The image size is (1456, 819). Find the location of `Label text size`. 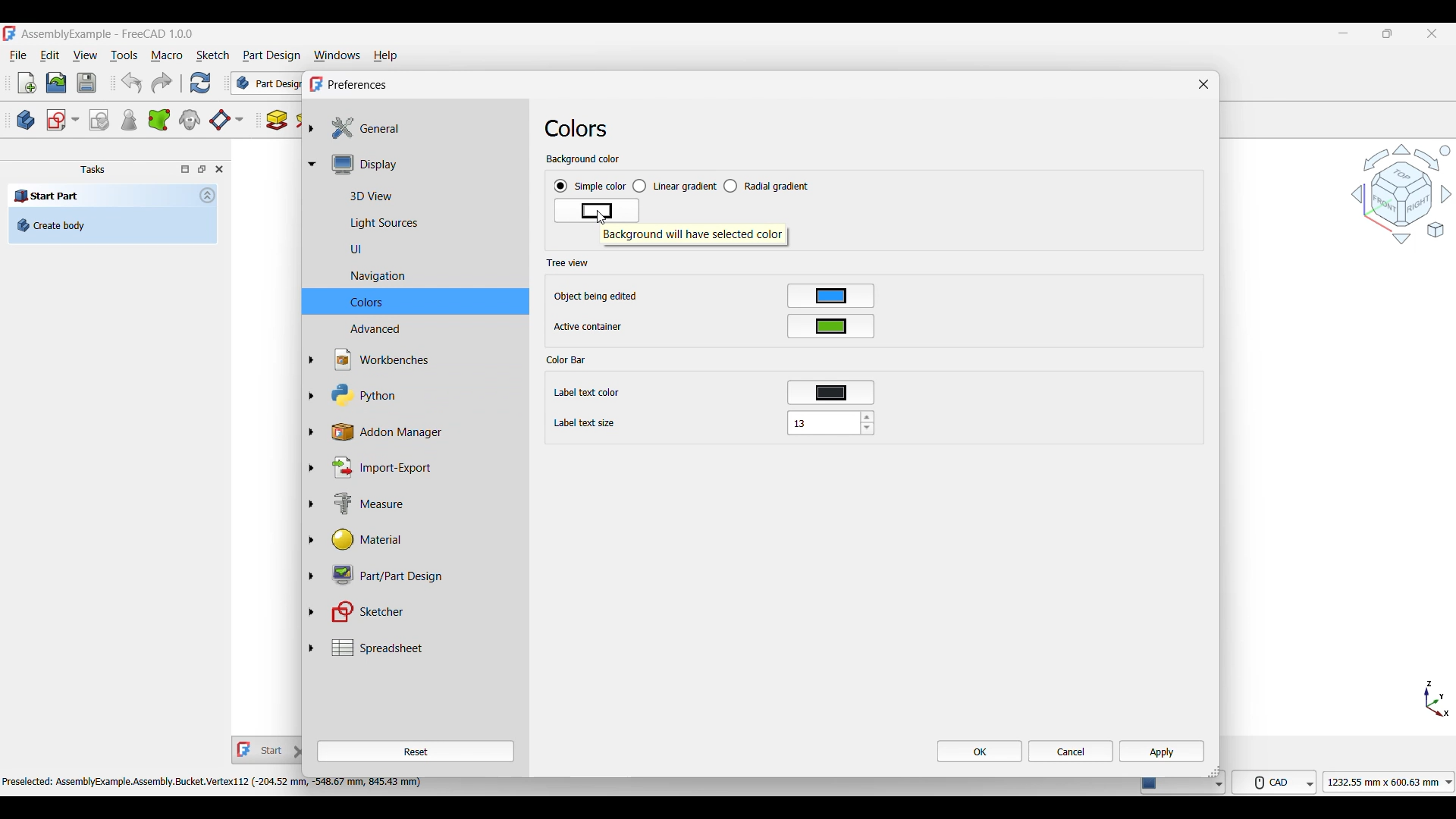

Label text size is located at coordinates (585, 424).